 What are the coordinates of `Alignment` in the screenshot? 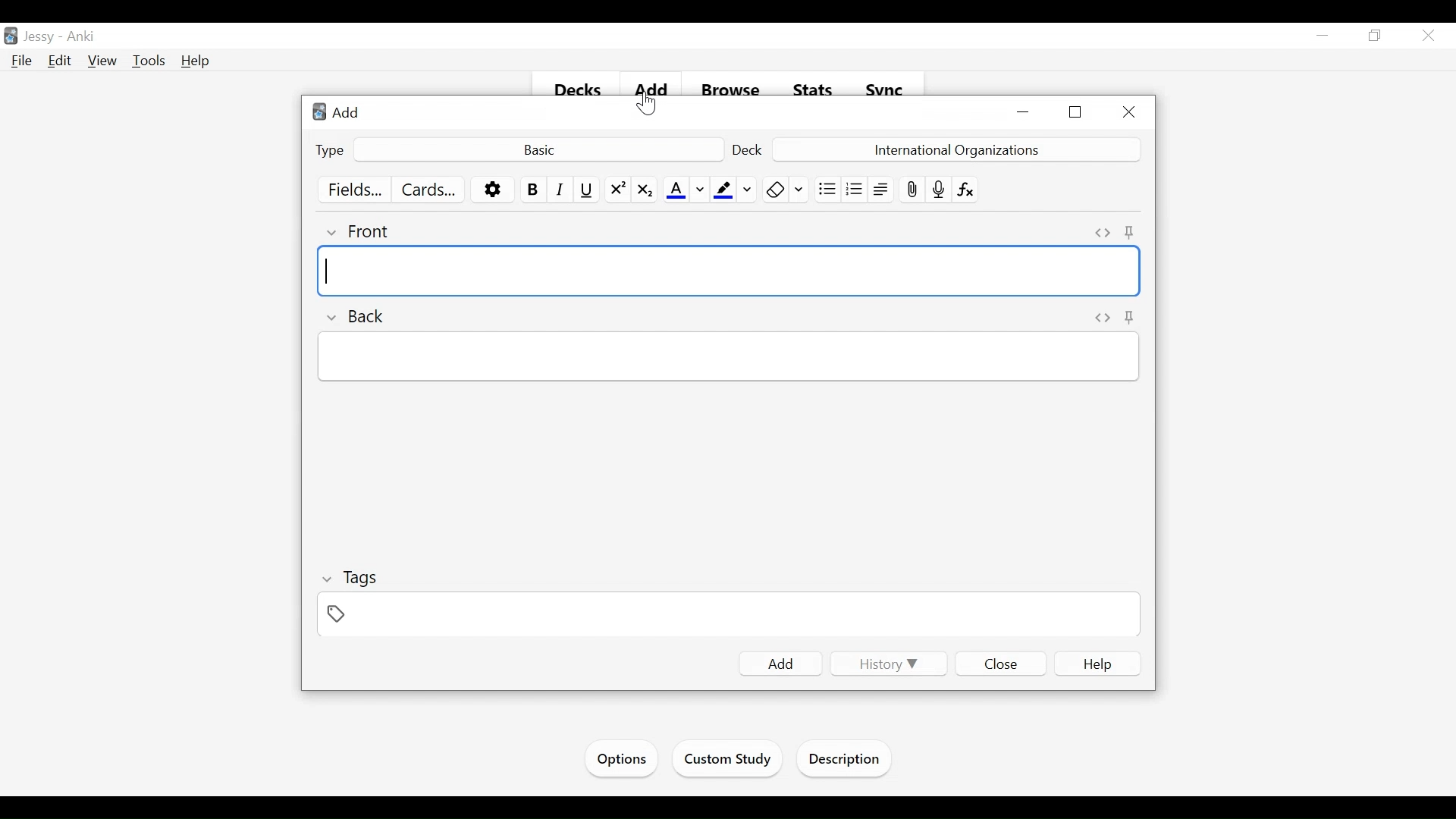 It's located at (880, 188).